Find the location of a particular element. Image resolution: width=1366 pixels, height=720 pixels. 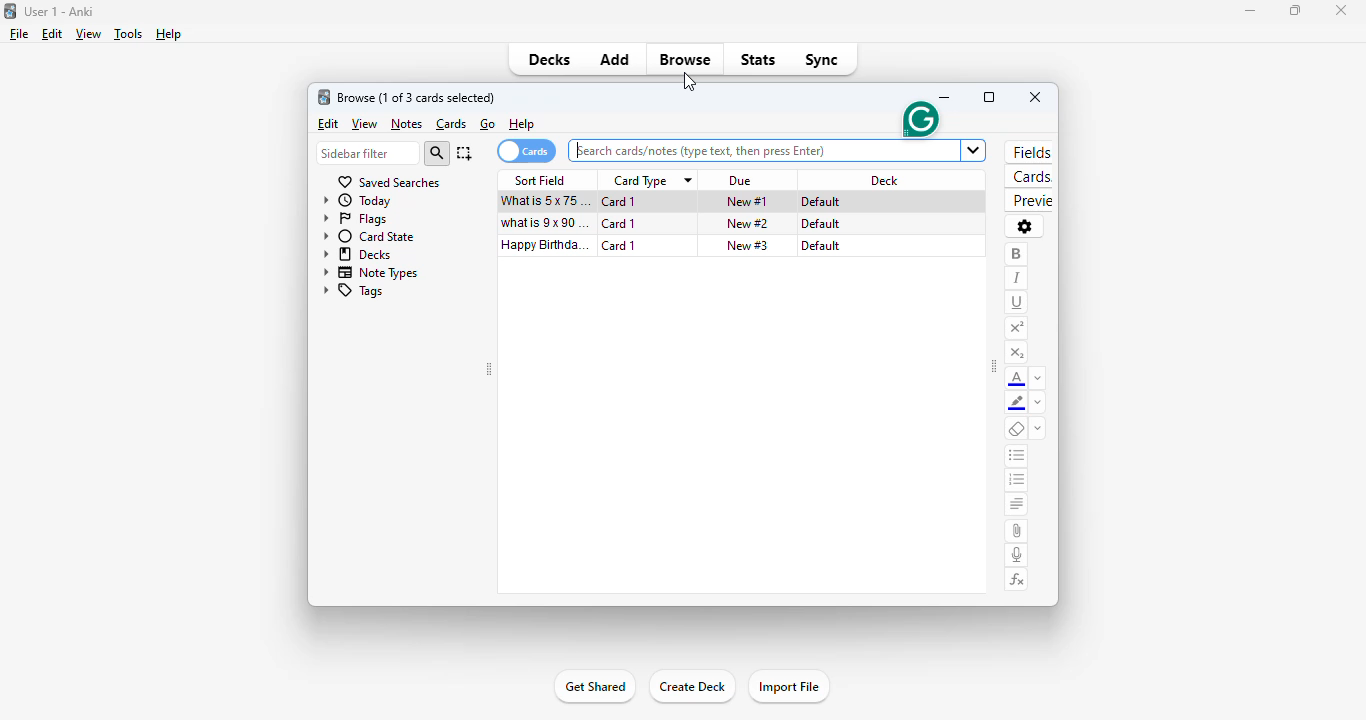

tools is located at coordinates (130, 34).